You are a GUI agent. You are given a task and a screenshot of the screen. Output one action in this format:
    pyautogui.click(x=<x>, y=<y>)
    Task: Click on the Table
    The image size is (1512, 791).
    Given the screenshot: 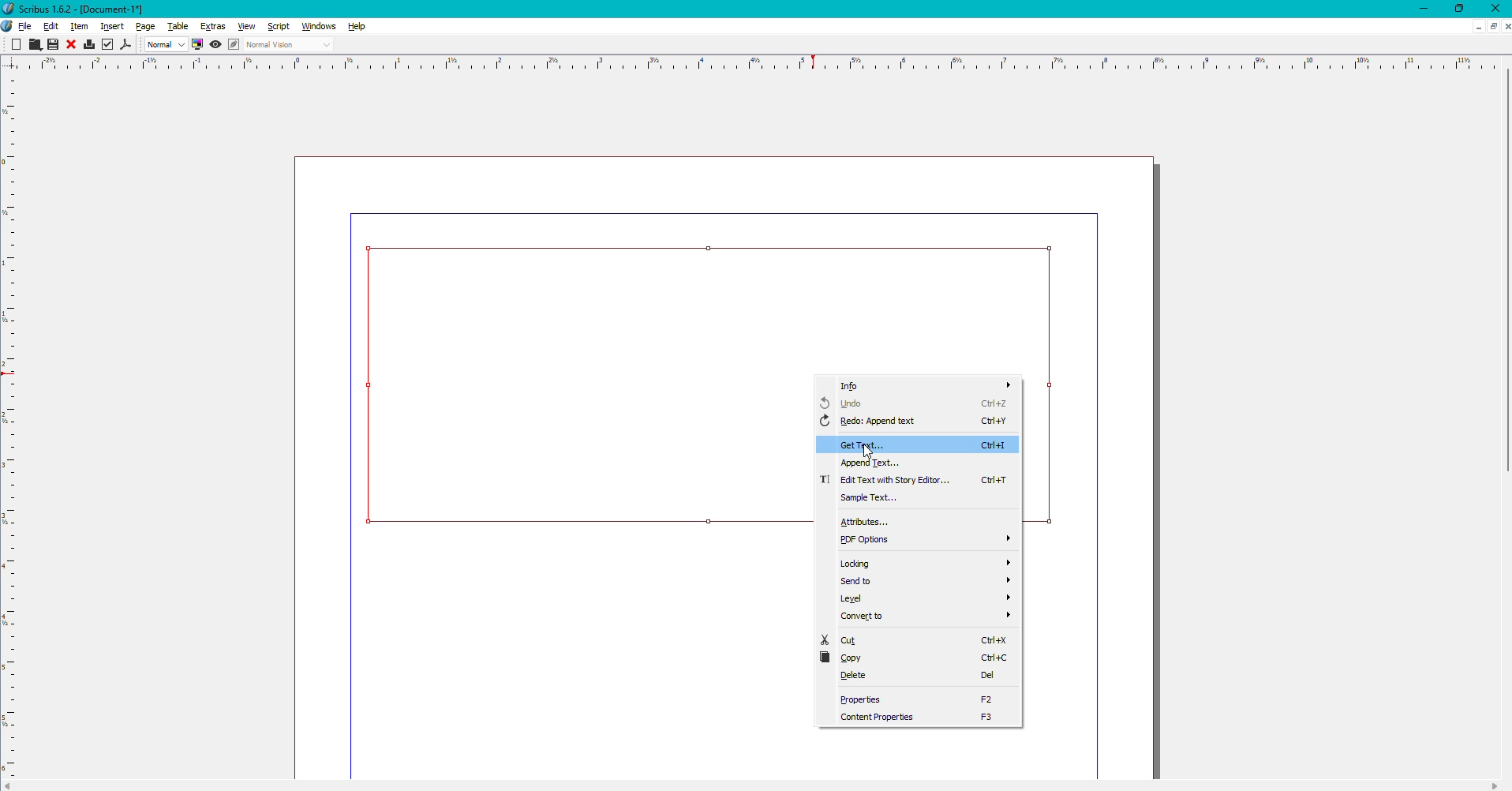 What is the action you would take?
    pyautogui.click(x=176, y=27)
    